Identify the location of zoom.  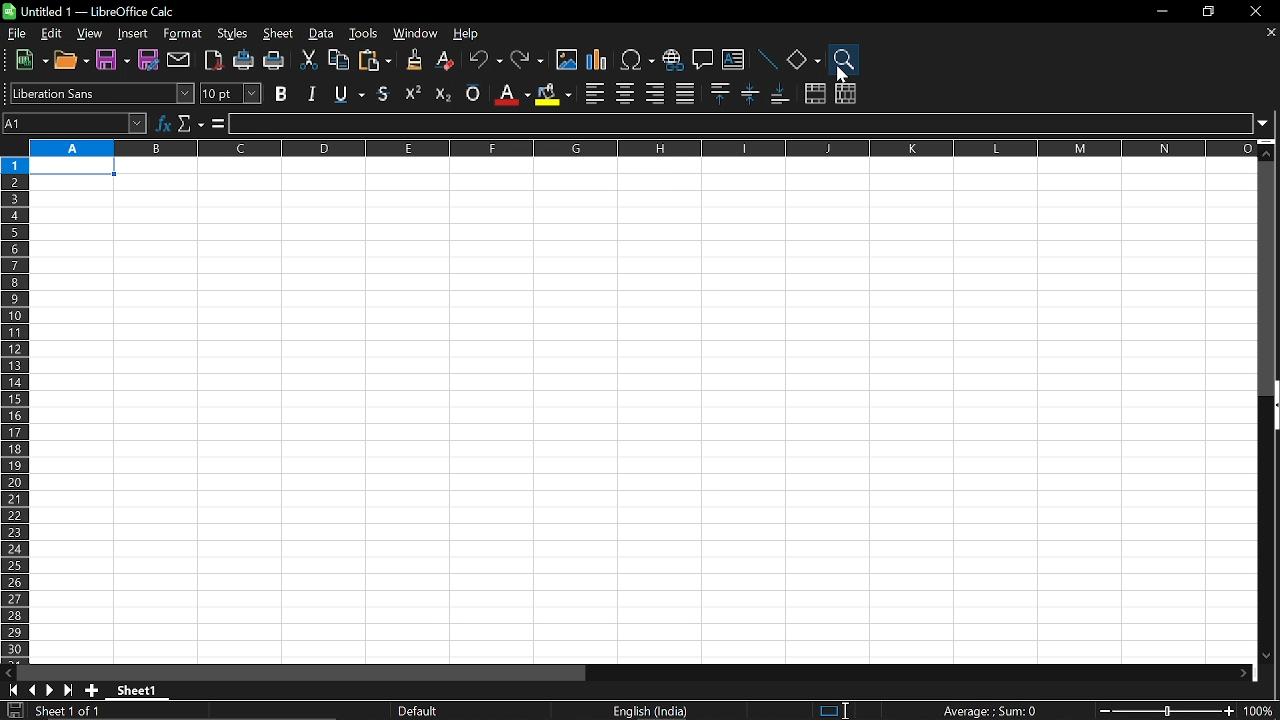
(842, 60).